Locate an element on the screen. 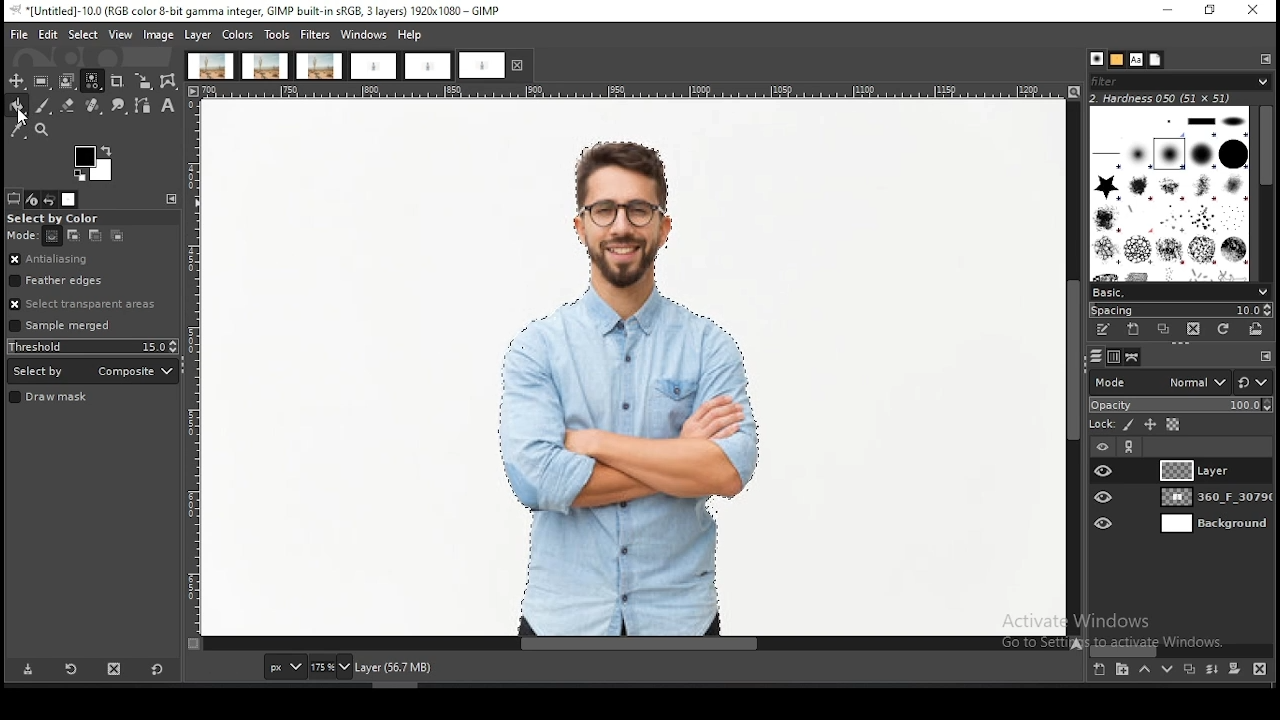  LAYER(56.7 MB) is located at coordinates (401, 667).